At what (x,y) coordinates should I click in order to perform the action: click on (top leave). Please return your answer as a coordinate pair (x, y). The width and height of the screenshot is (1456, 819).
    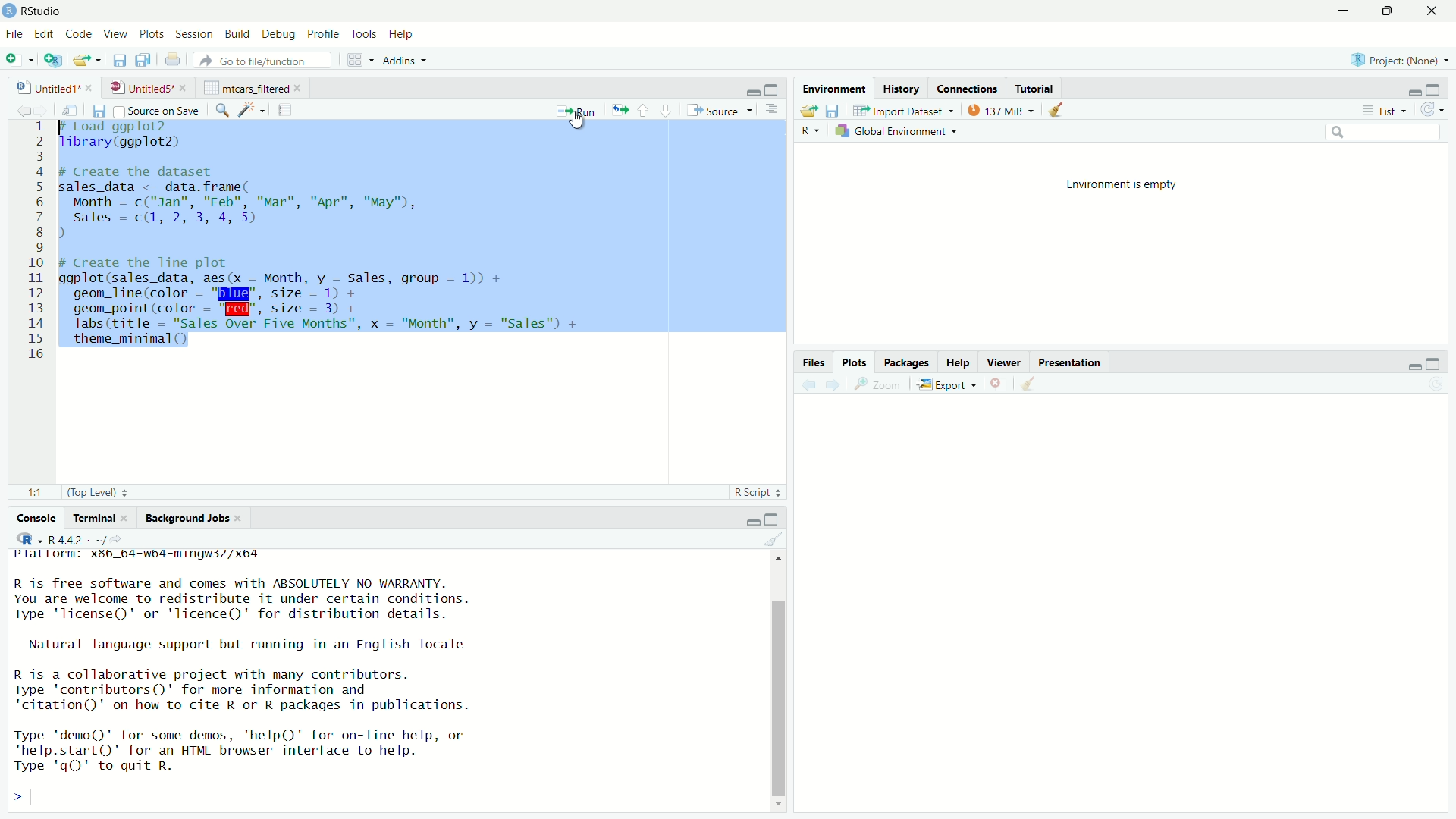
    Looking at the image, I should click on (92, 493).